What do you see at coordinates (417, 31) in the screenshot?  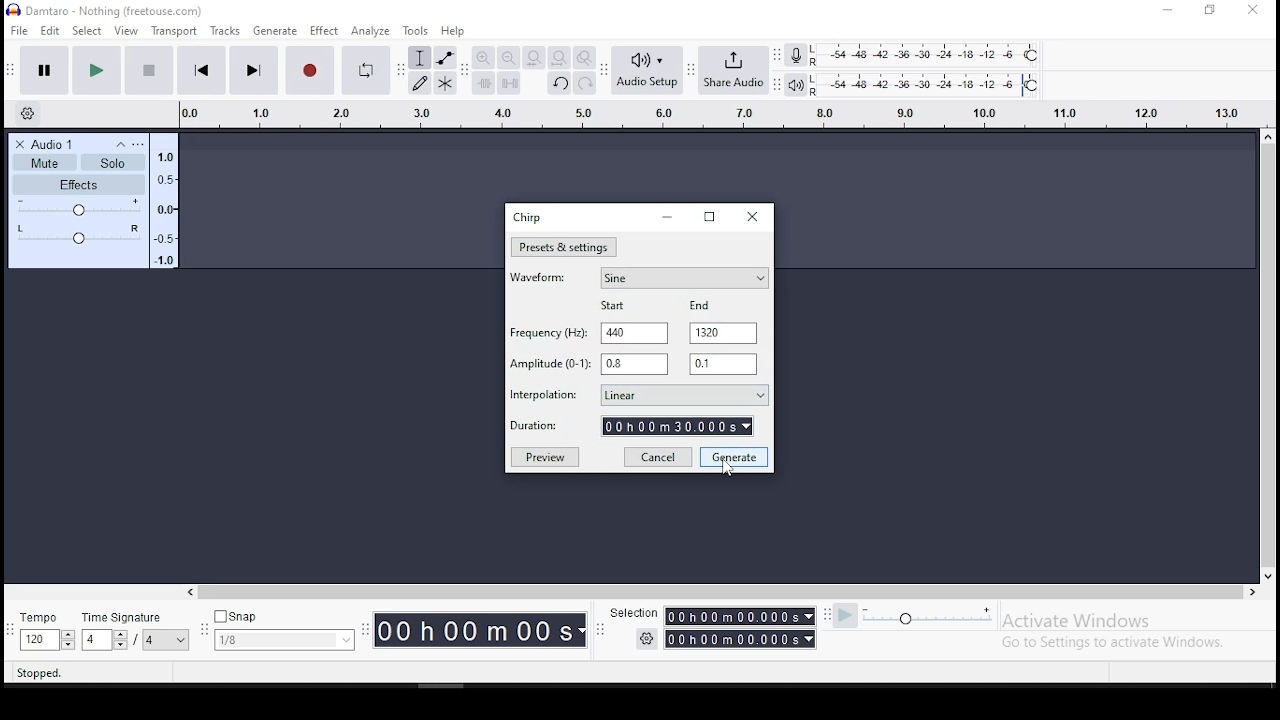 I see `tools` at bounding box center [417, 31].